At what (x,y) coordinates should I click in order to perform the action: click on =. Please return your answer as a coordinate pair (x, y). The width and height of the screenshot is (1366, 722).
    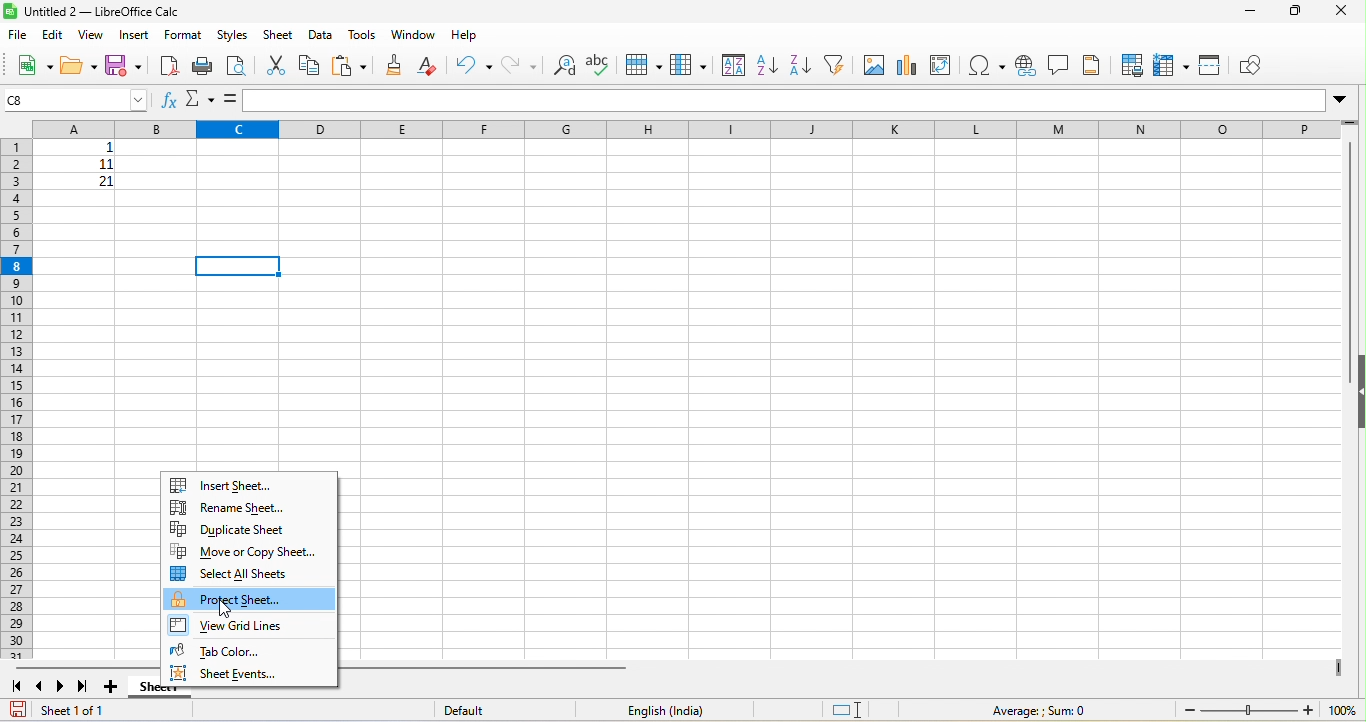
    Looking at the image, I should click on (230, 99).